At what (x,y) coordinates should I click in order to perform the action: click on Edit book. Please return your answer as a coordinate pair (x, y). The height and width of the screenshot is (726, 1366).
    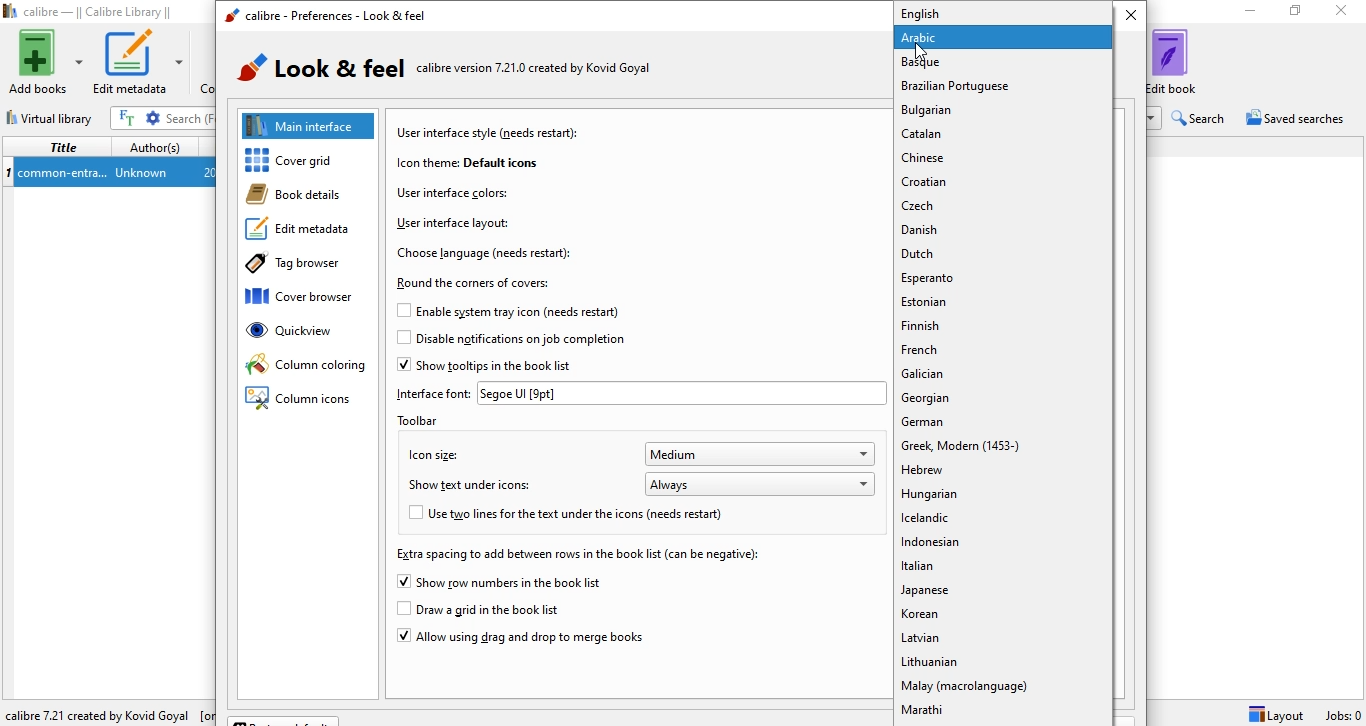
    Looking at the image, I should click on (1185, 61).